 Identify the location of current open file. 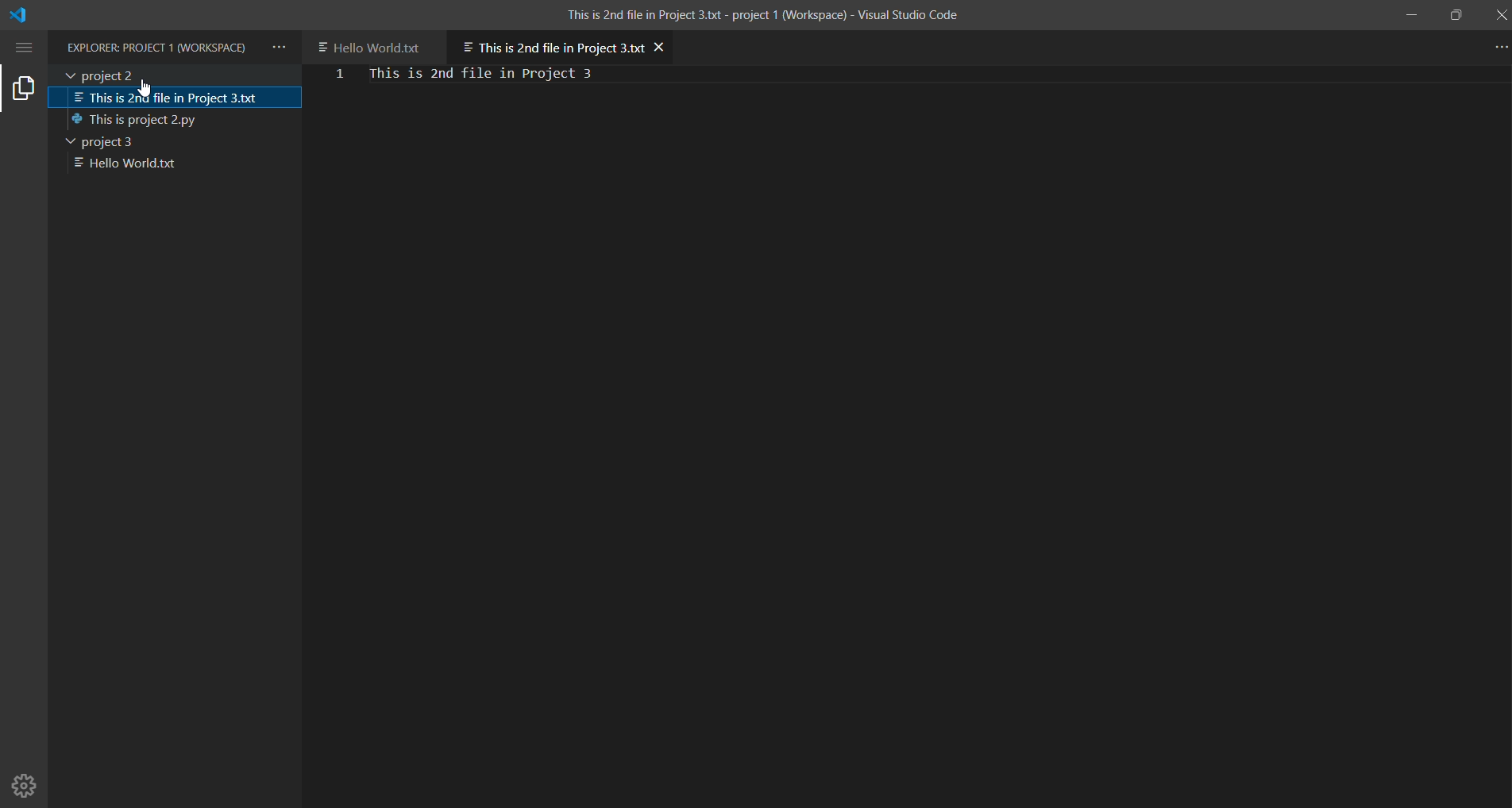
(550, 44).